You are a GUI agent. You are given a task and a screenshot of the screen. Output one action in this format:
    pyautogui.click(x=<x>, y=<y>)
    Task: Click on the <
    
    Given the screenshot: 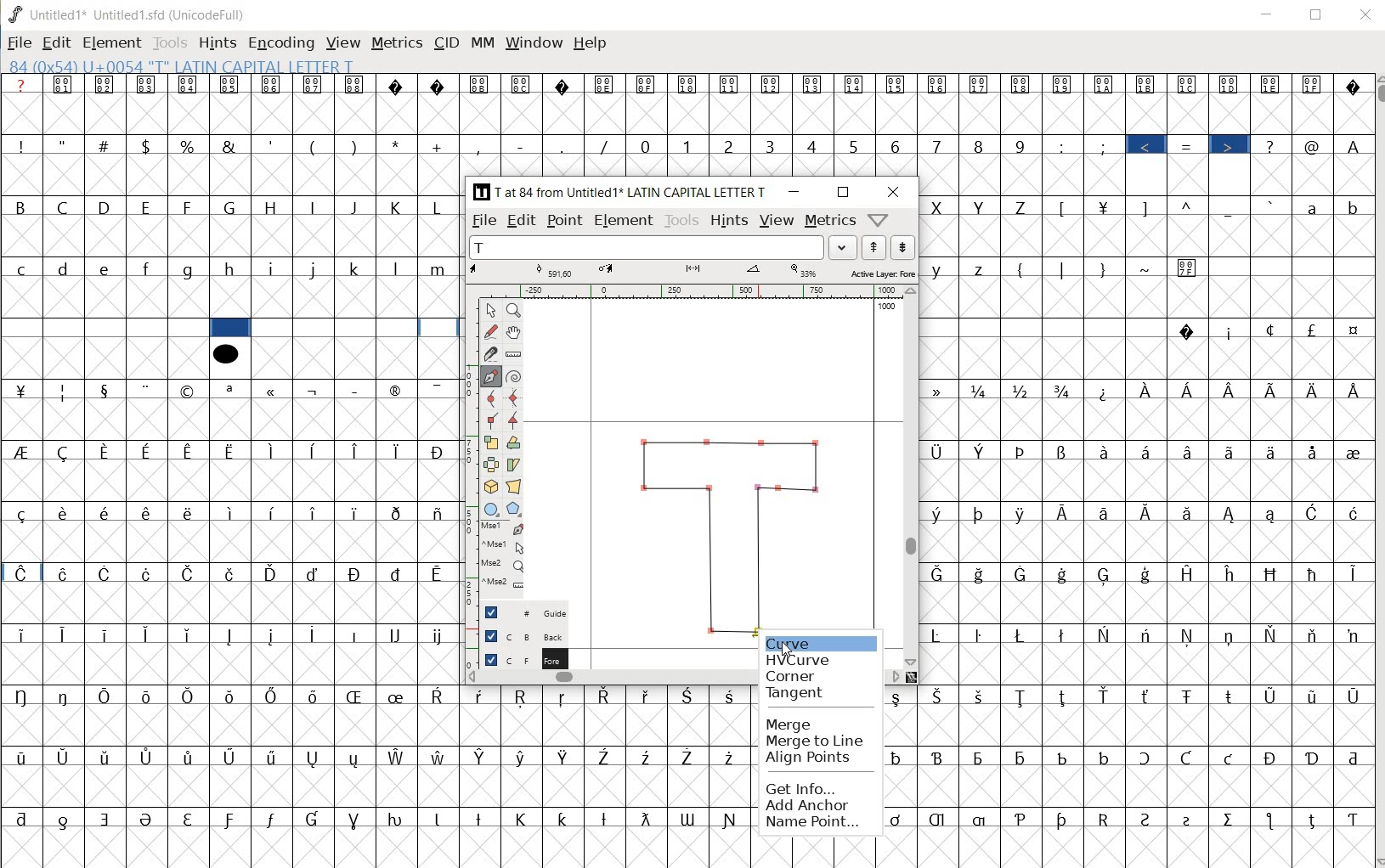 What is the action you would take?
    pyautogui.click(x=1149, y=146)
    